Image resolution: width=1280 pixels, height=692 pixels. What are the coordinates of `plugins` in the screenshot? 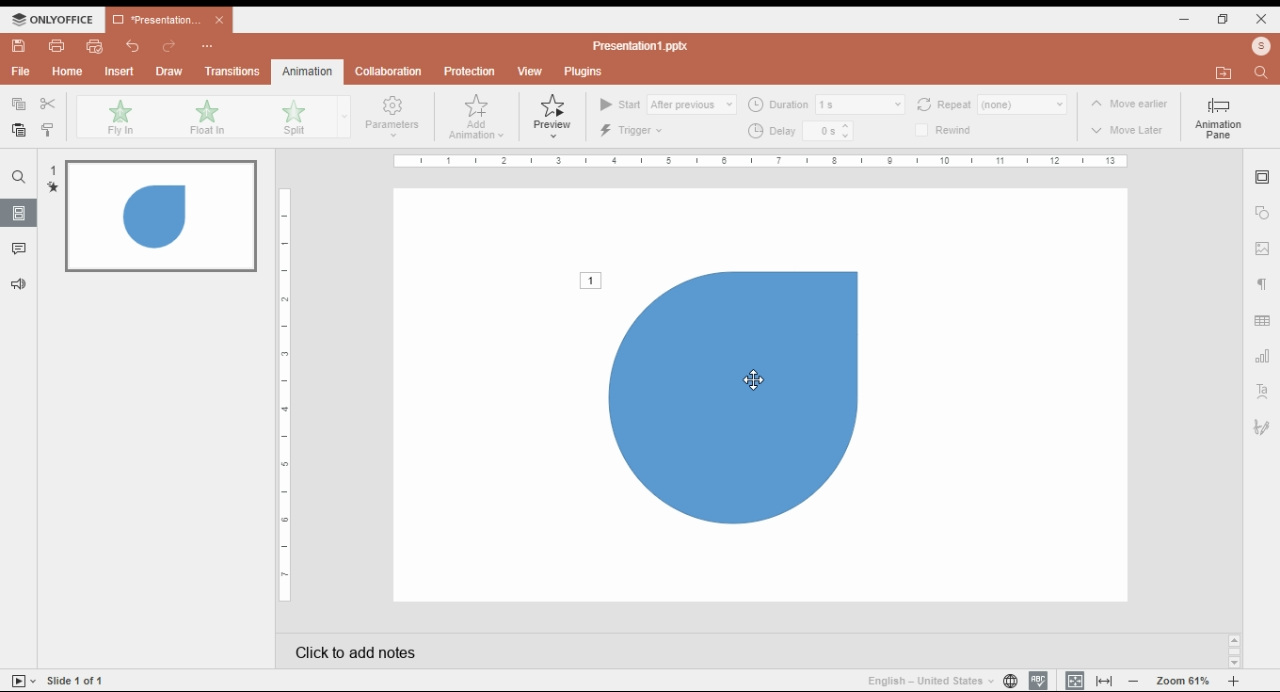 It's located at (586, 72).